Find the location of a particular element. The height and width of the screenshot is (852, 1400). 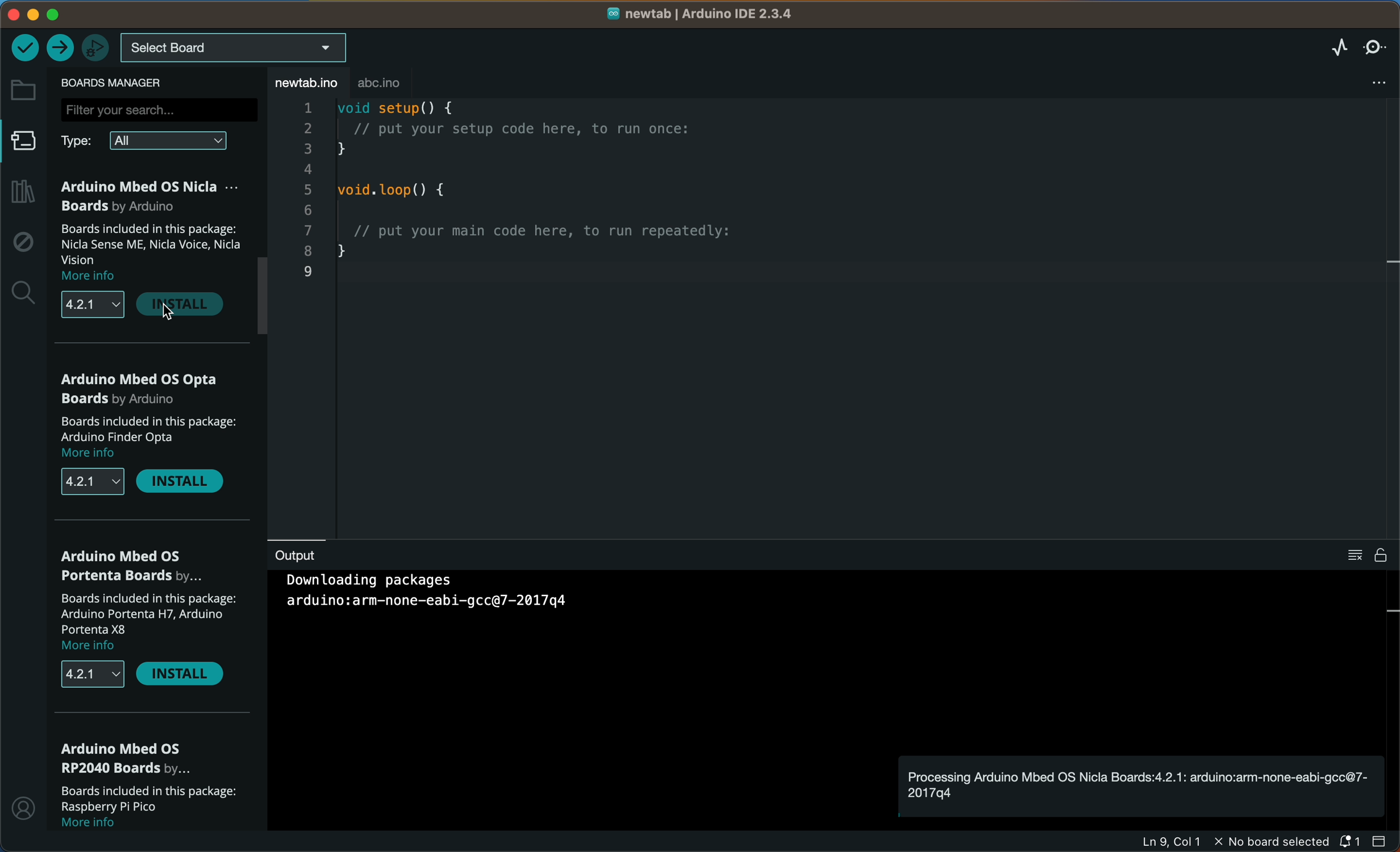

close slidebar is located at coordinates (1382, 842).